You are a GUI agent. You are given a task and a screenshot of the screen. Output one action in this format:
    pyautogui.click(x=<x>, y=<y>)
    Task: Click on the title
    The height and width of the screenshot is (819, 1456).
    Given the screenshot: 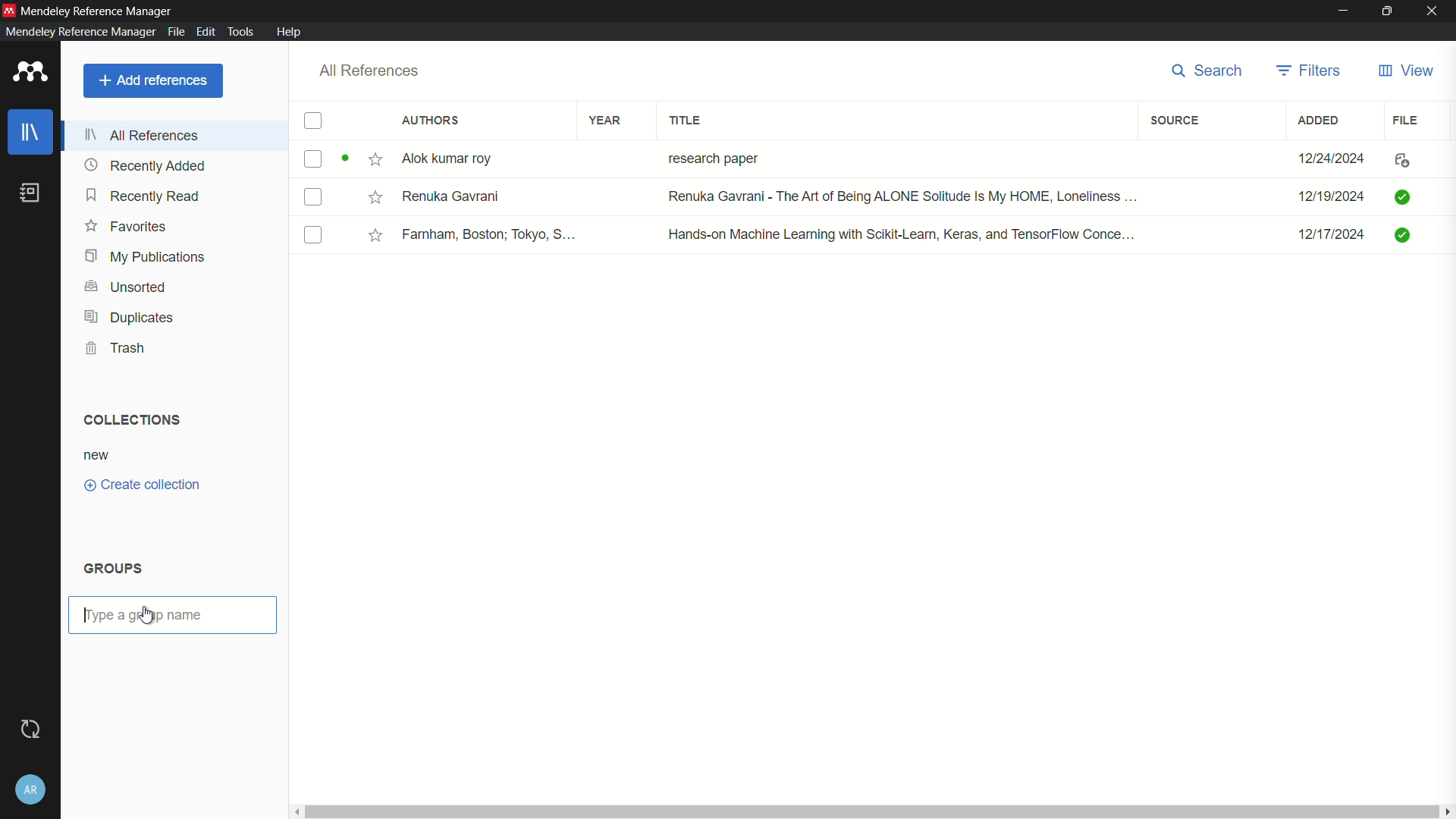 What is the action you would take?
    pyautogui.click(x=687, y=121)
    